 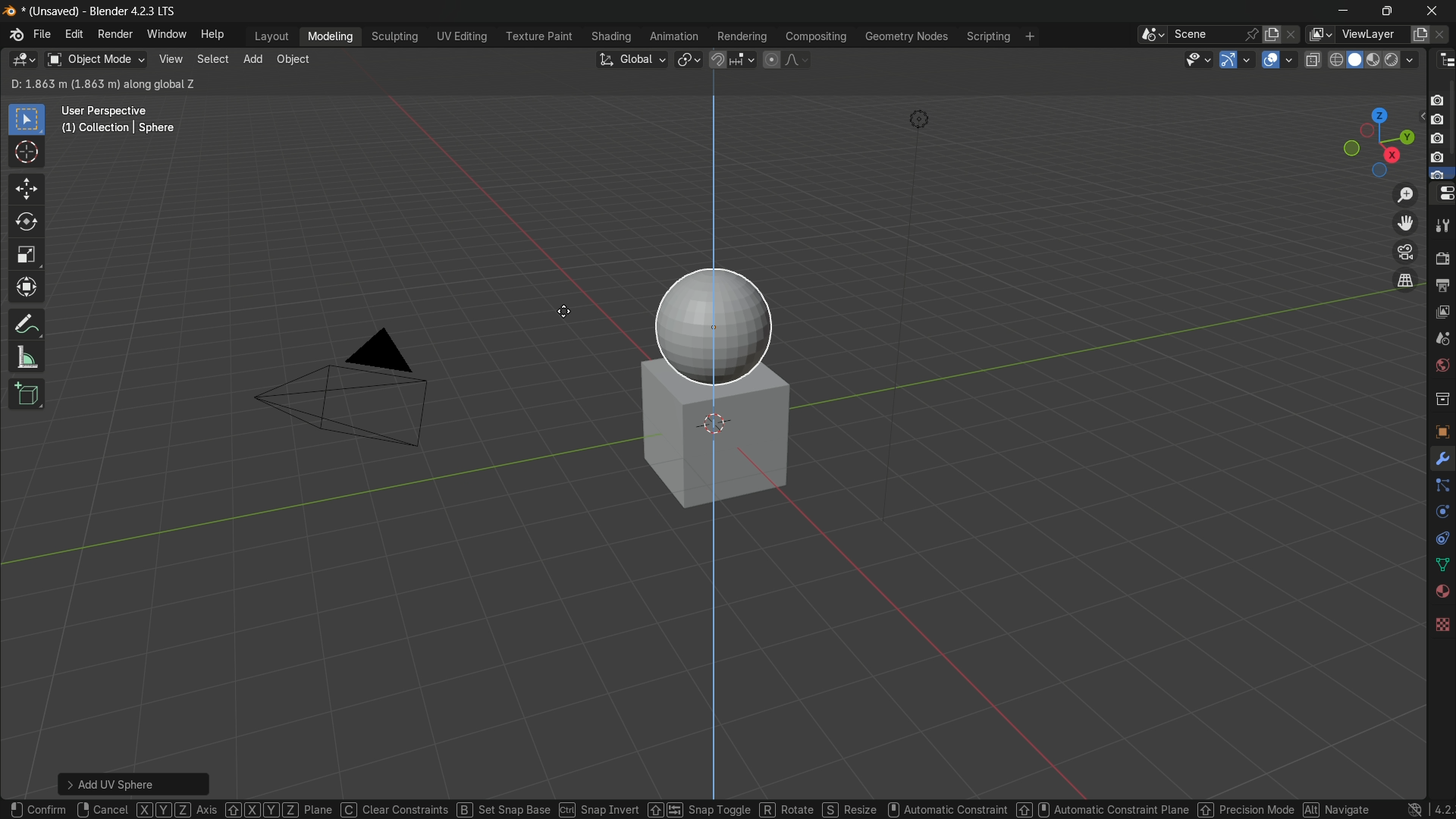 I want to click on view menu, so click(x=171, y=59).